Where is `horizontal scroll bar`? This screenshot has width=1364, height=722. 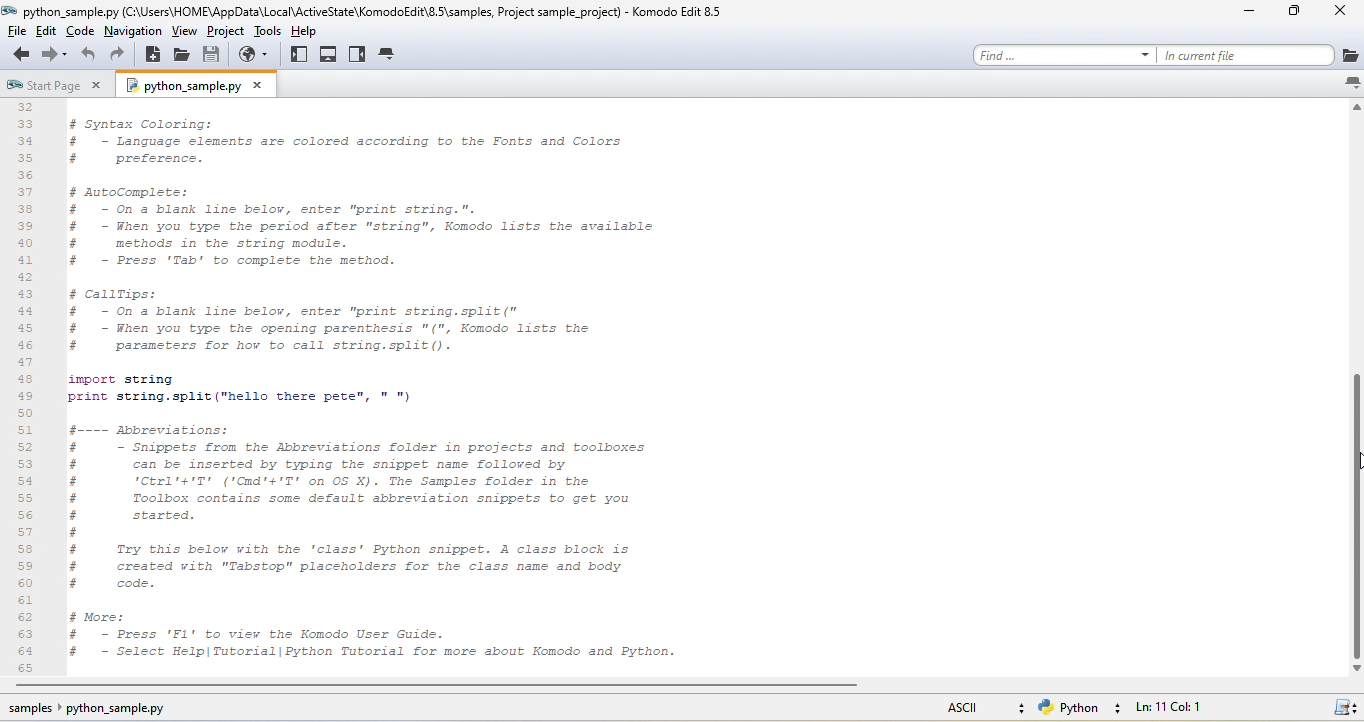
horizontal scroll bar is located at coordinates (453, 688).